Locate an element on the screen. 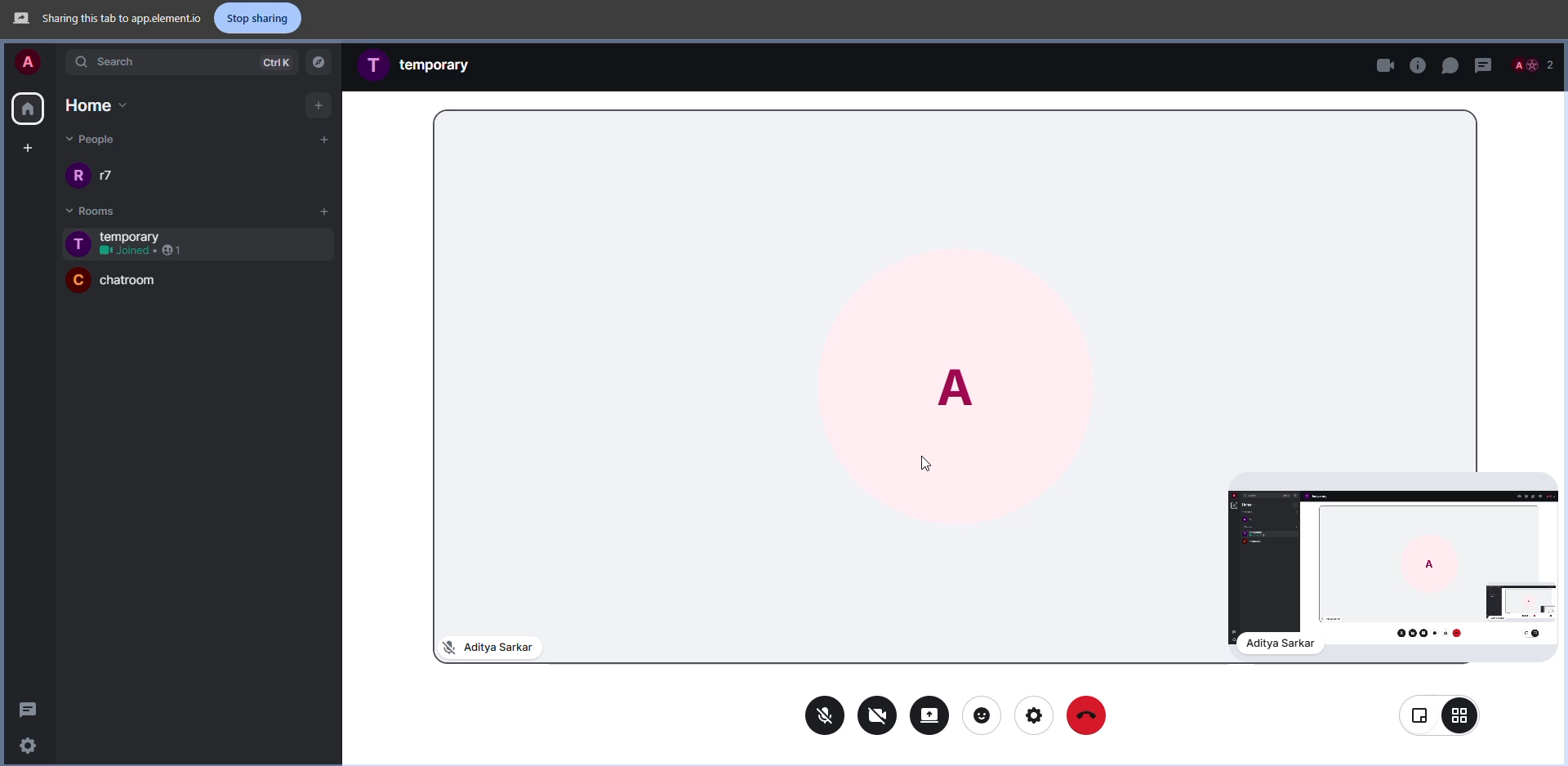 This screenshot has height=766, width=1568. reaction is located at coordinates (982, 714).